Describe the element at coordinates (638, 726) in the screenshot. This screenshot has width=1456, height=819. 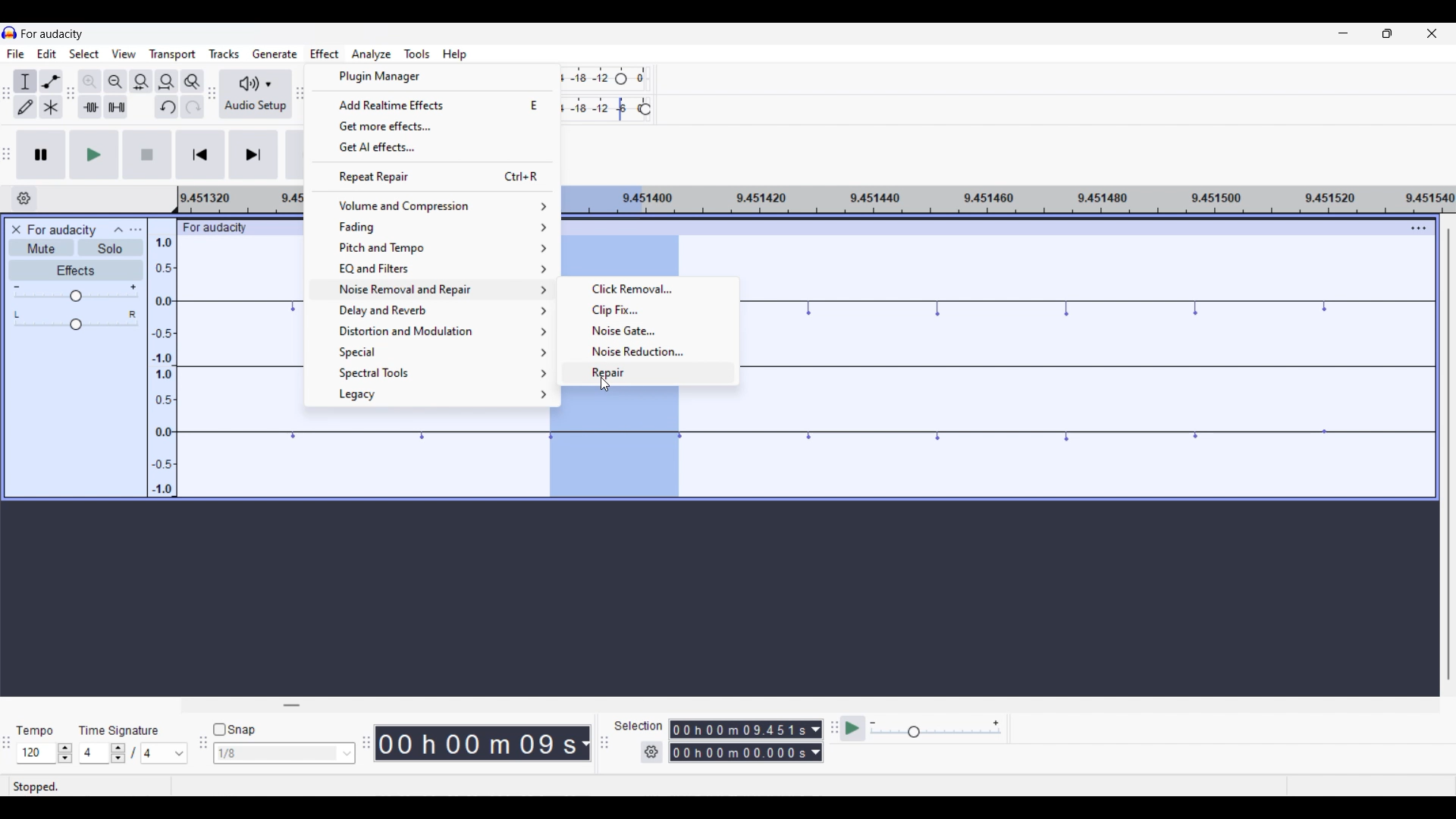
I see `Indicates selection duration` at that location.